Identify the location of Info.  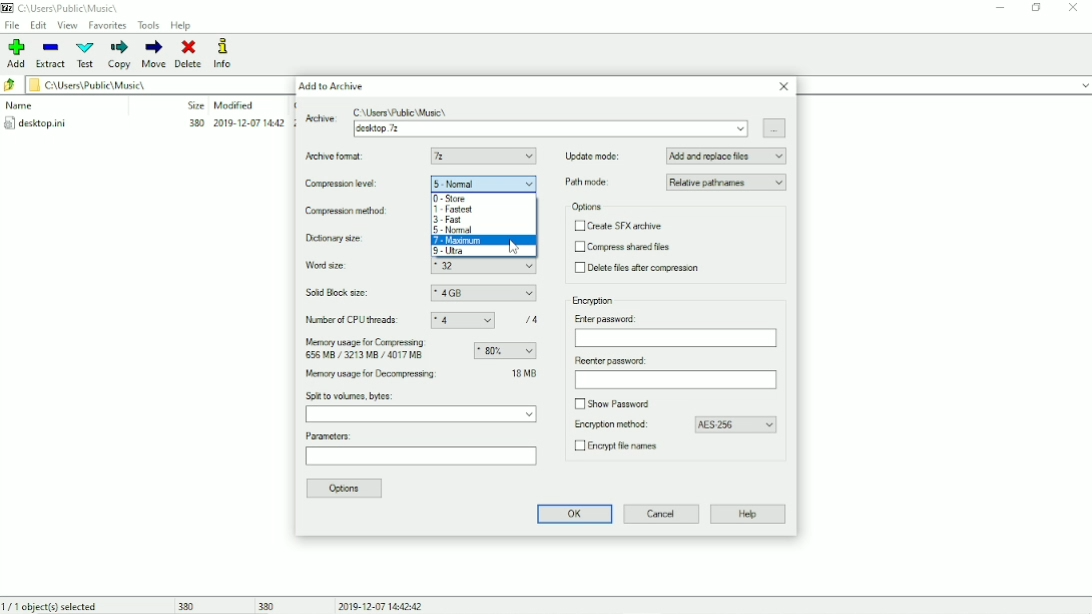
(223, 53).